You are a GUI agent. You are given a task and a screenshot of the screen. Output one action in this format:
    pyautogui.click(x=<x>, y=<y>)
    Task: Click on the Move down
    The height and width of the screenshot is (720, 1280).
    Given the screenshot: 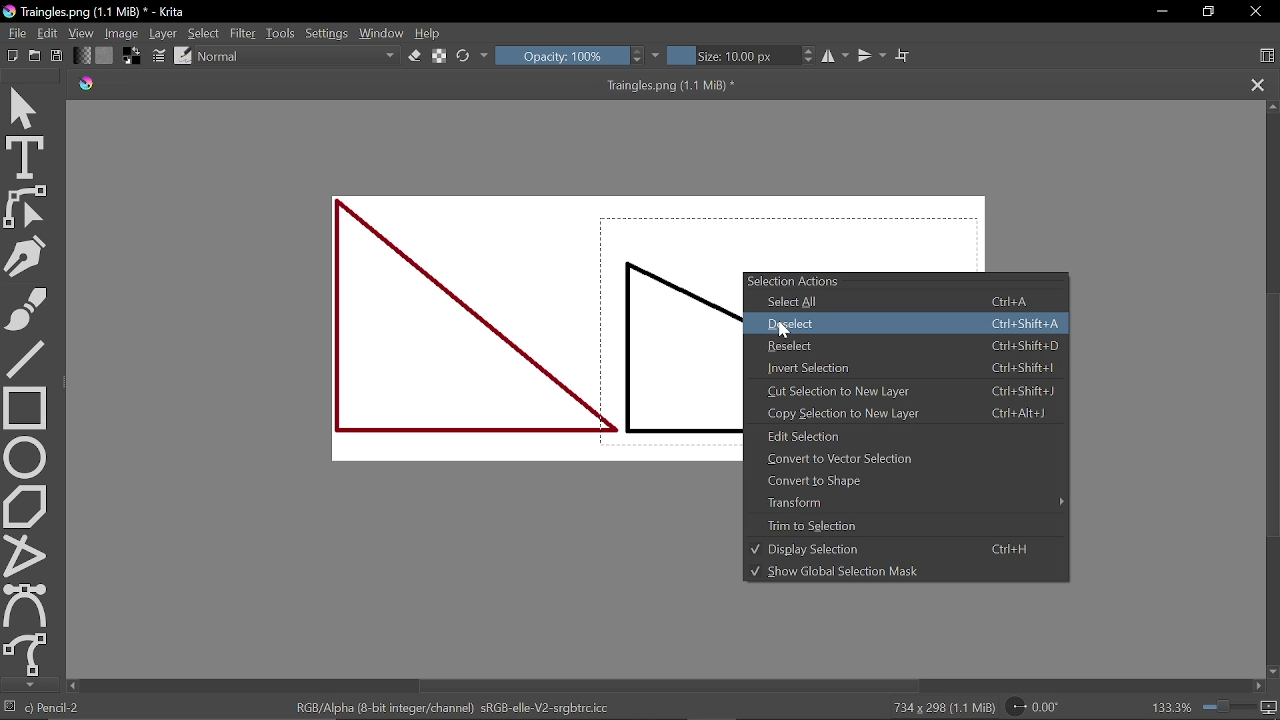 What is the action you would take?
    pyautogui.click(x=28, y=685)
    